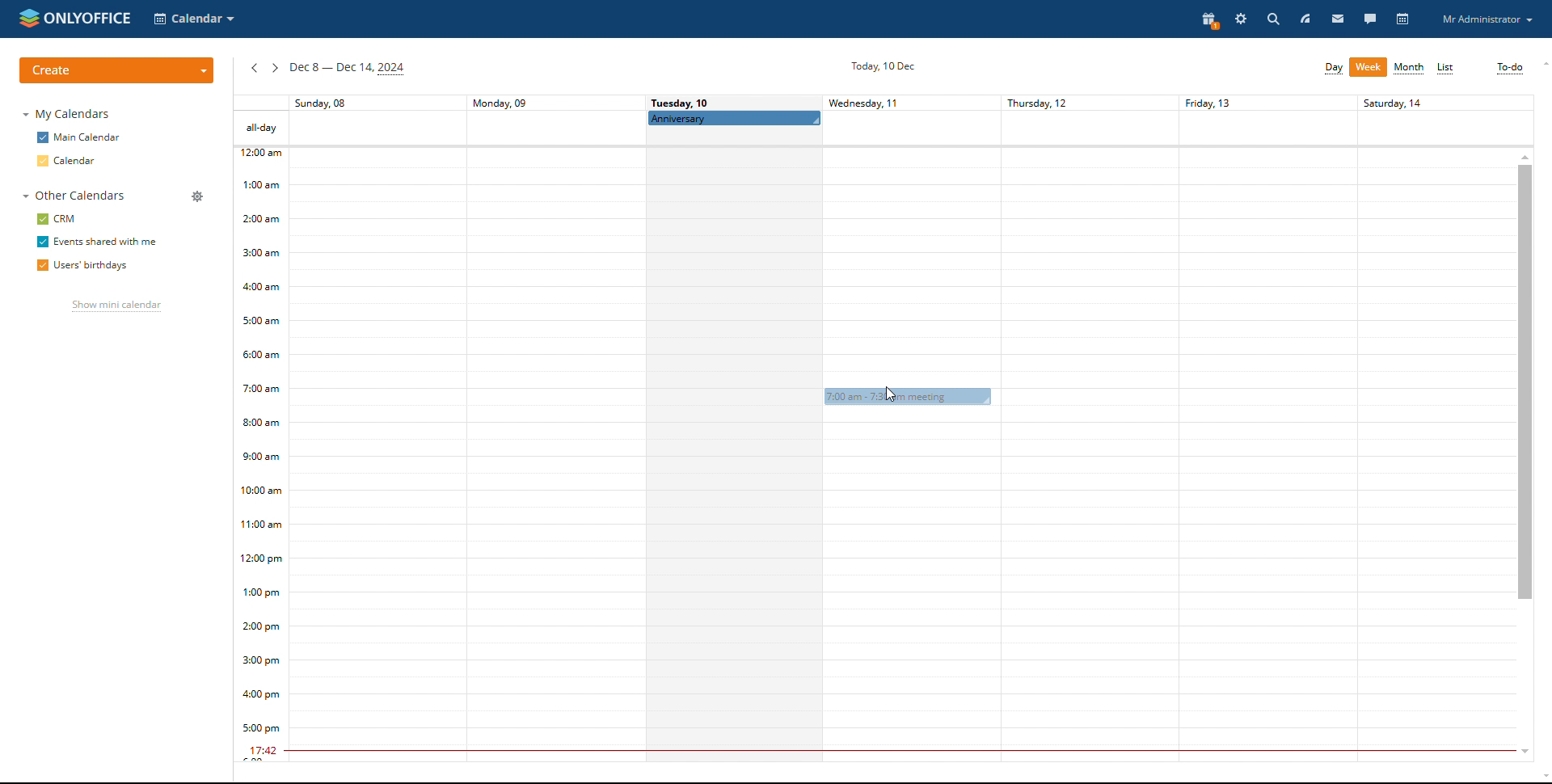  What do you see at coordinates (116, 307) in the screenshot?
I see `show mini calendar` at bounding box center [116, 307].